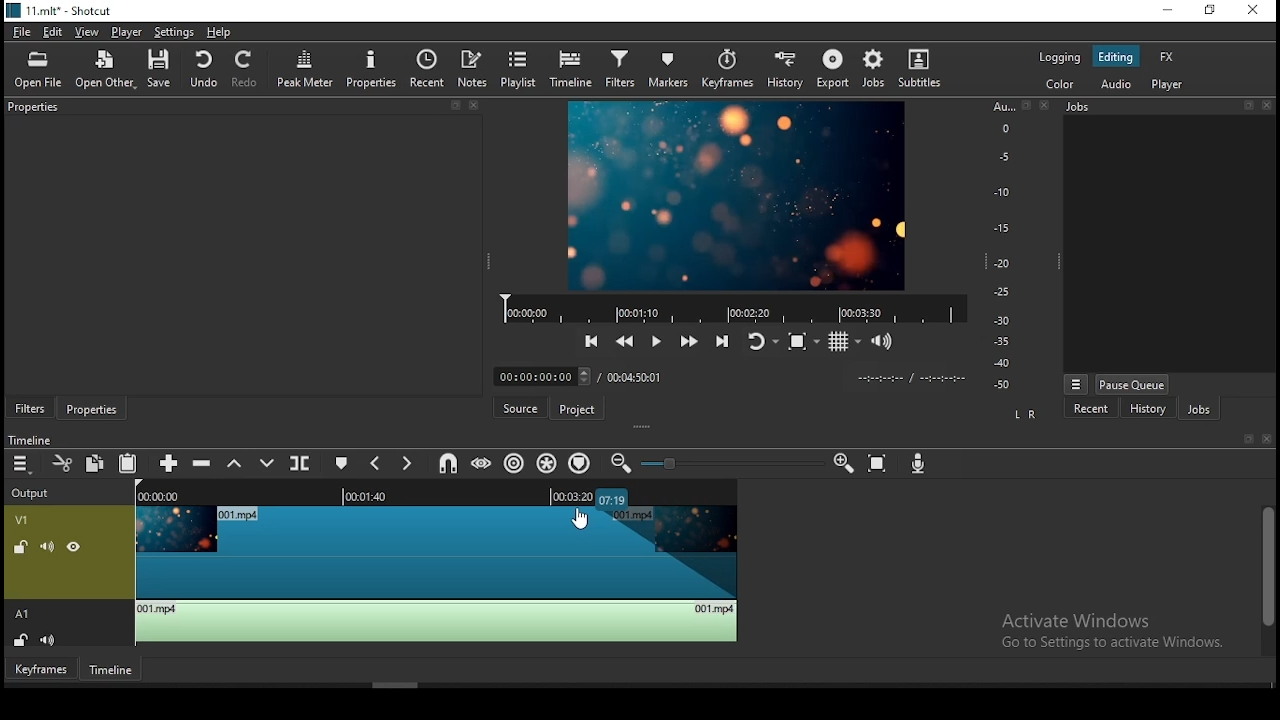  I want to click on jobs, so click(880, 69).